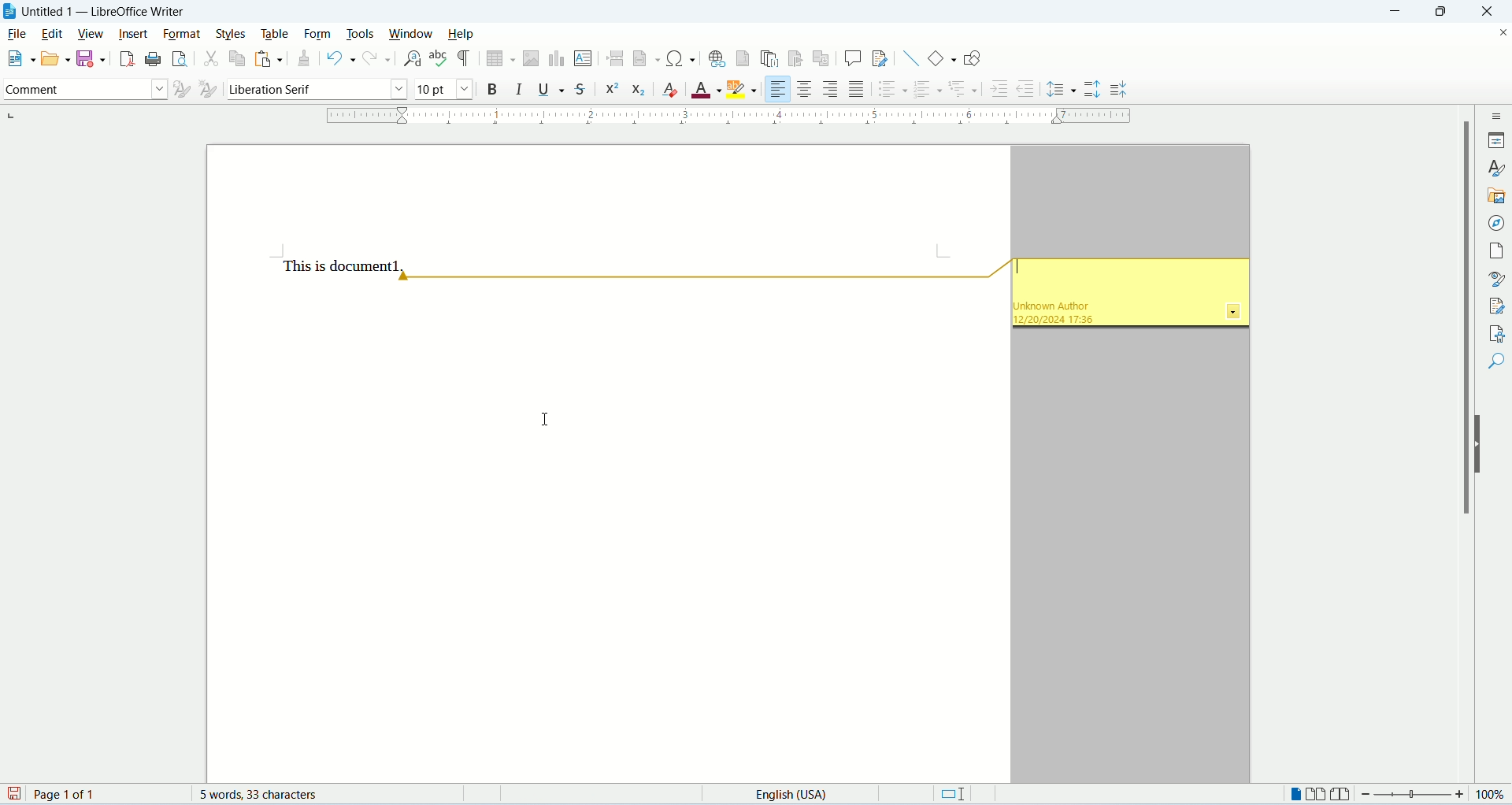 The height and width of the screenshot is (805, 1512). What do you see at coordinates (1497, 167) in the screenshot?
I see `styles` at bounding box center [1497, 167].